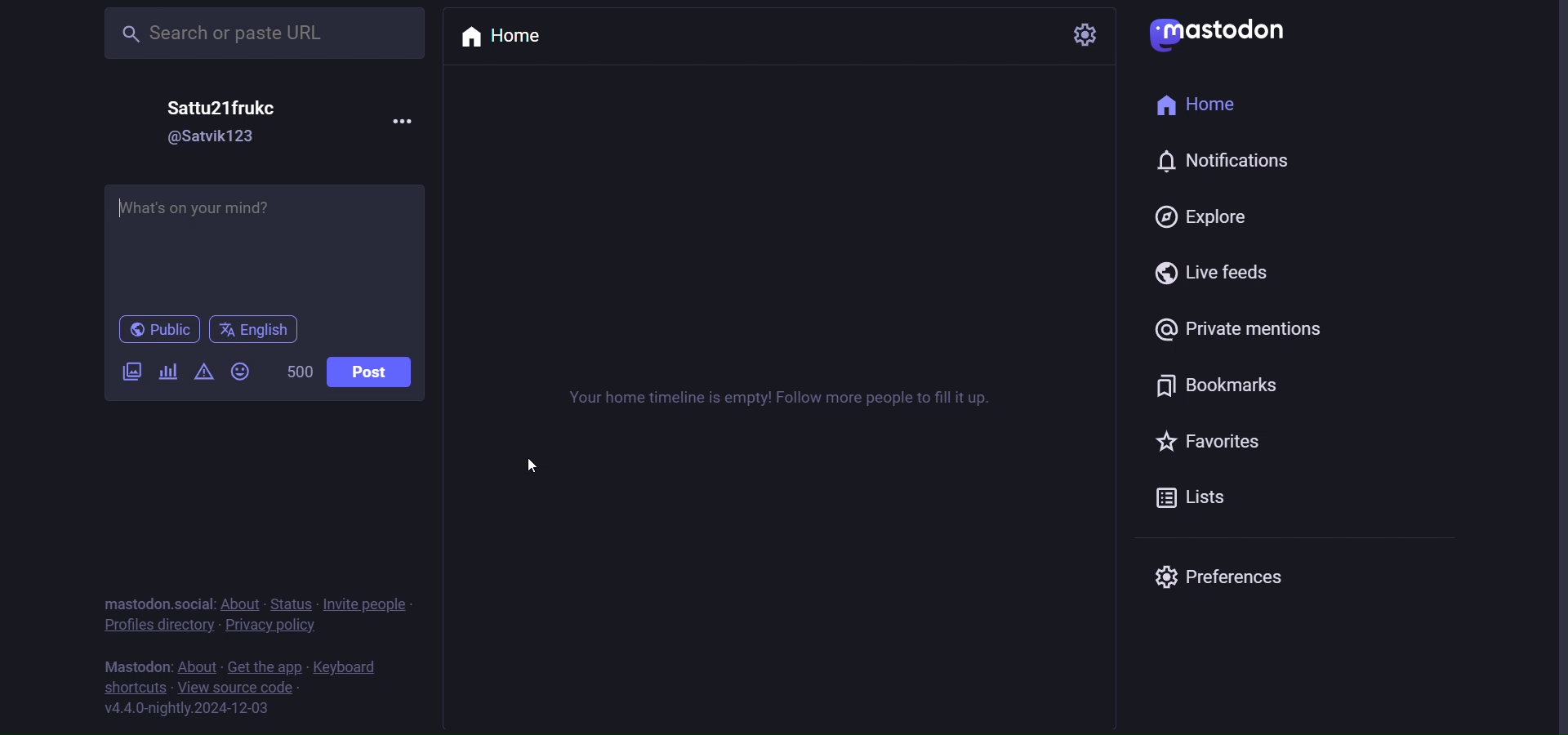 The height and width of the screenshot is (735, 1568). What do you see at coordinates (237, 688) in the screenshot?
I see `source code` at bounding box center [237, 688].